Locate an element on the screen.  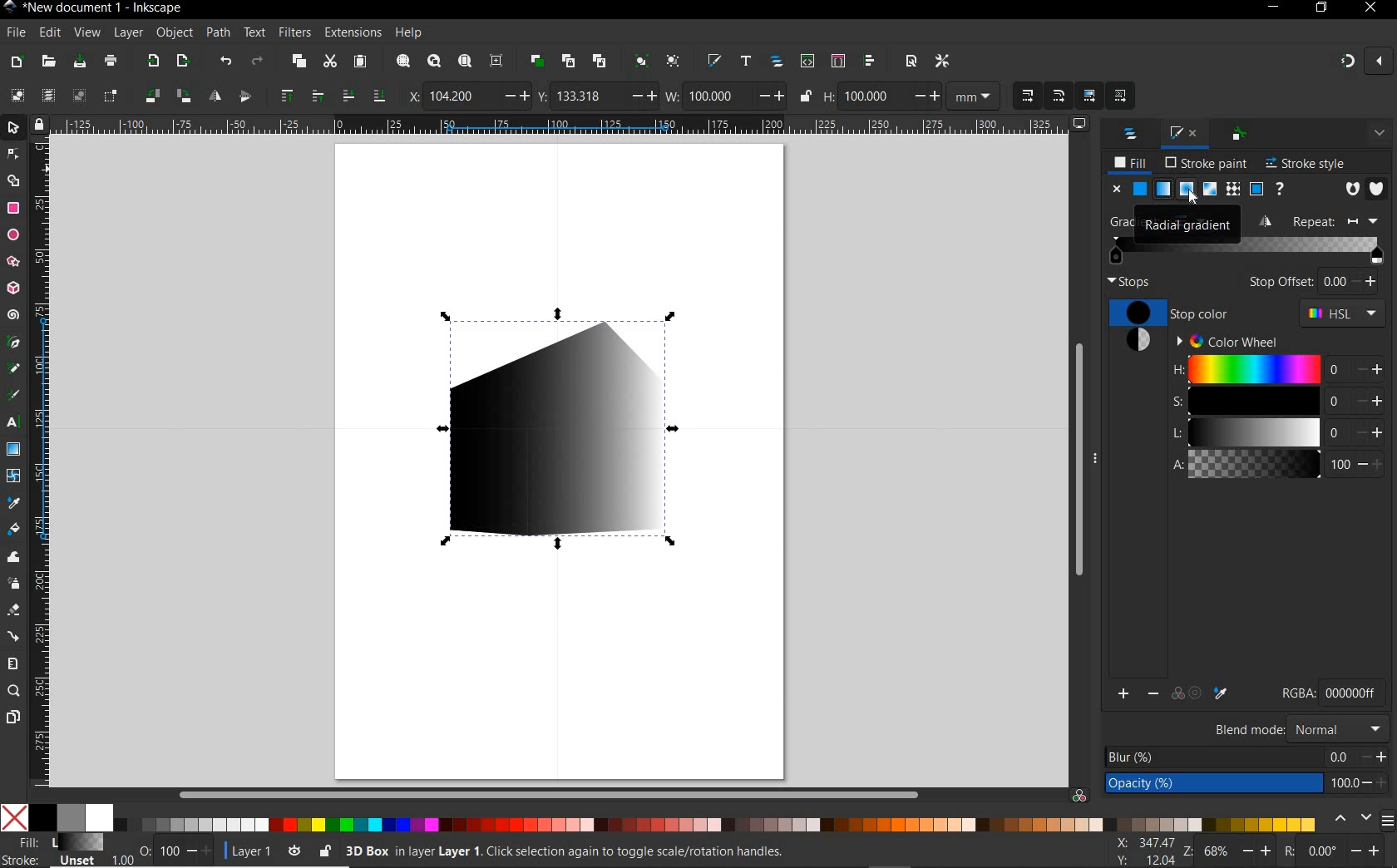
cursor is located at coordinates (1197, 196).